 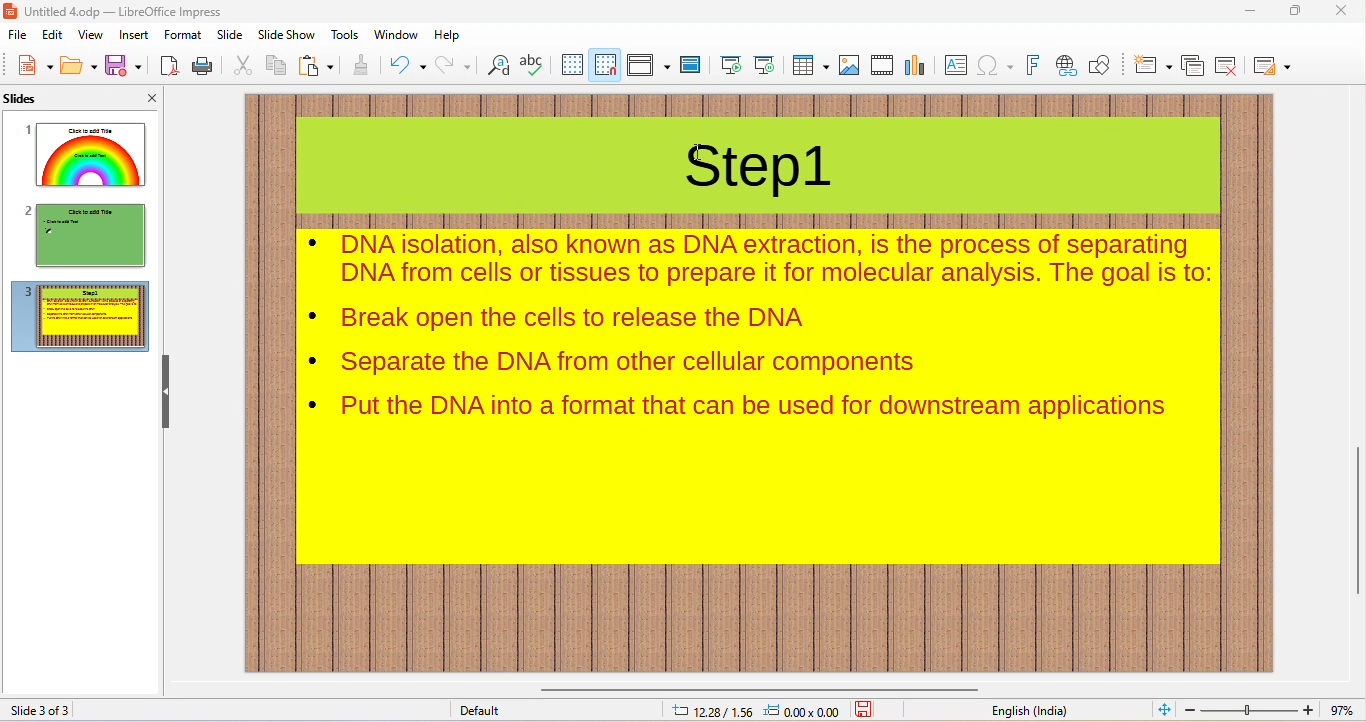 What do you see at coordinates (180, 35) in the screenshot?
I see `format` at bounding box center [180, 35].